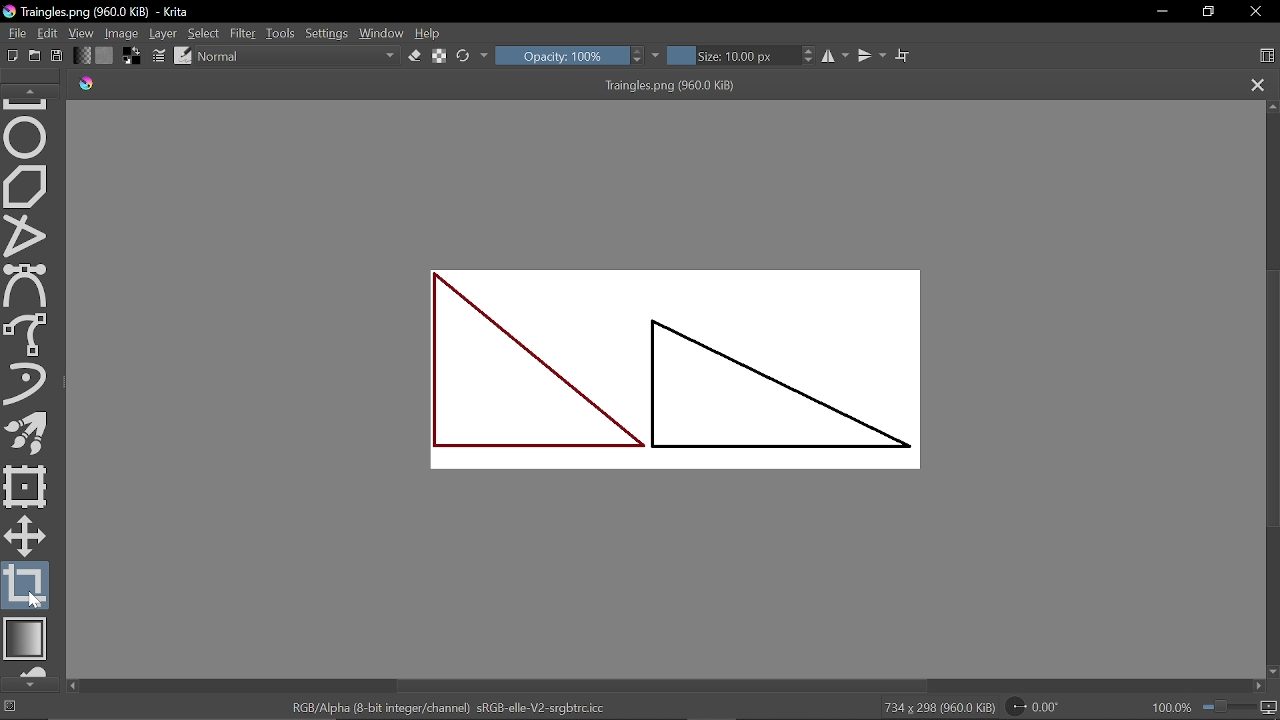 This screenshot has height=720, width=1280. What do you see at coordinates (10, 708) in the screenshot?
I see `No selection` at bounding box center [10, 708].